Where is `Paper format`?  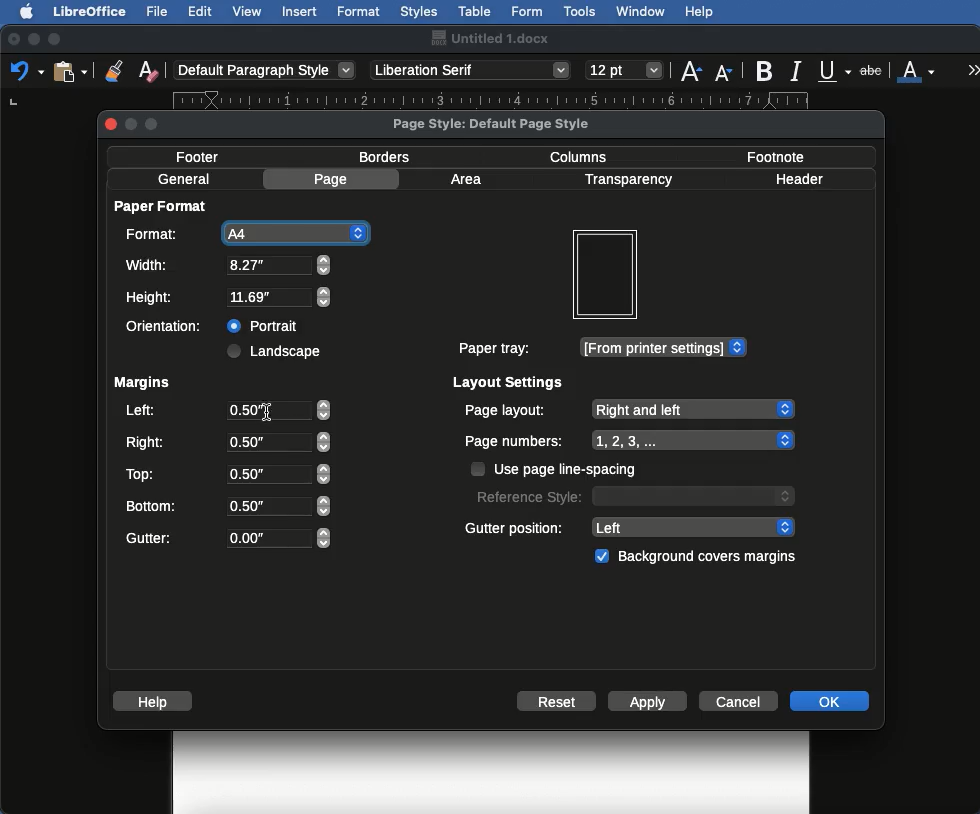 Paper format is located at coordinates (162, 205).